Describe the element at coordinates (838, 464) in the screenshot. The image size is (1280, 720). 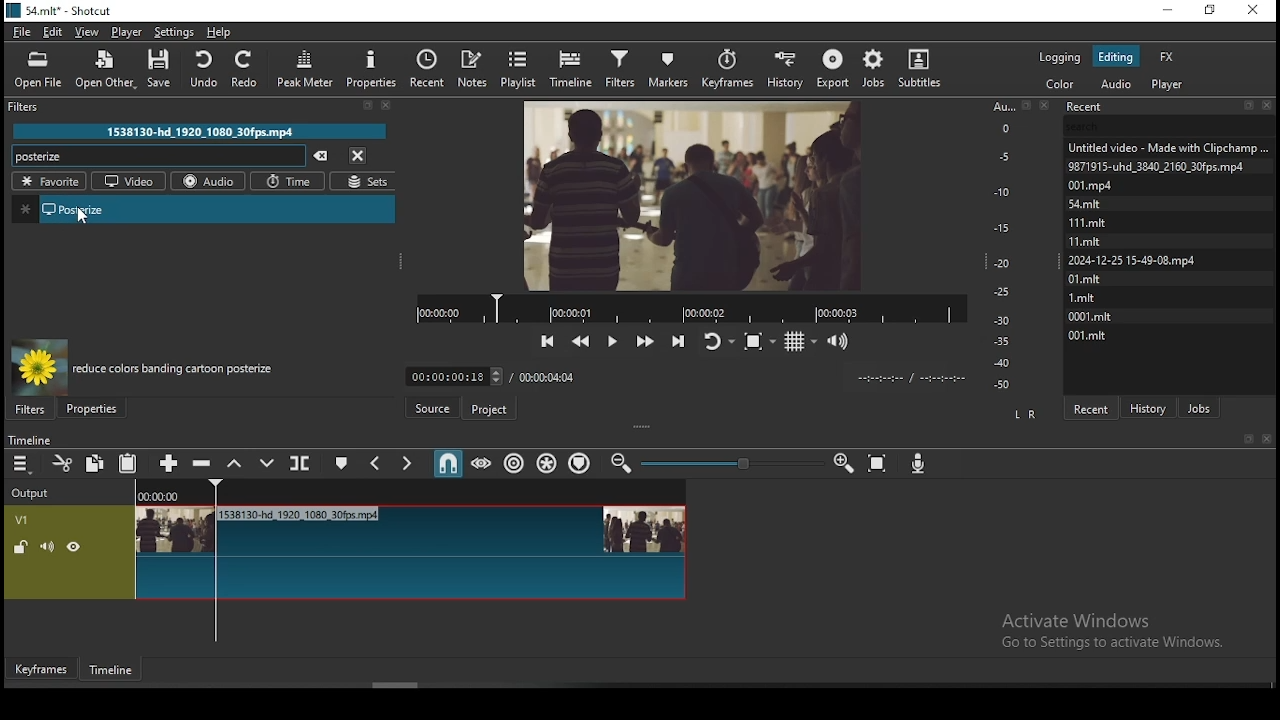
I see `zoom timeline out` at that location.